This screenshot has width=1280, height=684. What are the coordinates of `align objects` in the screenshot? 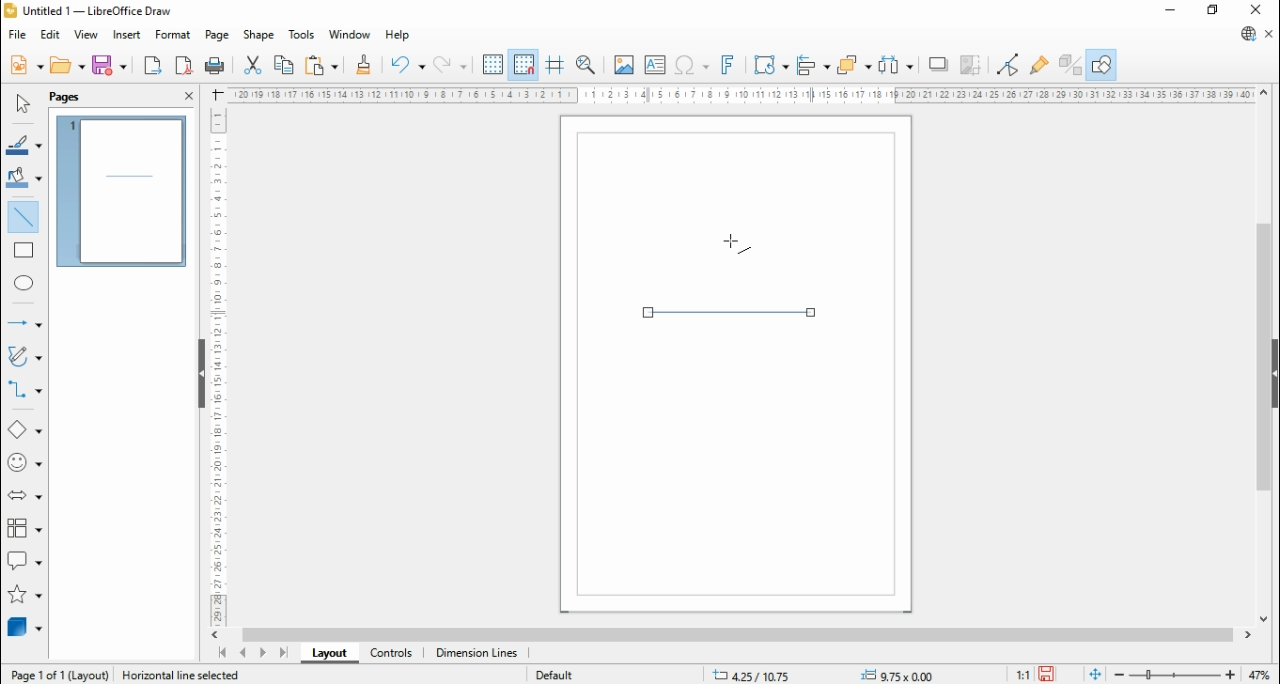 It's located at (815, 64).